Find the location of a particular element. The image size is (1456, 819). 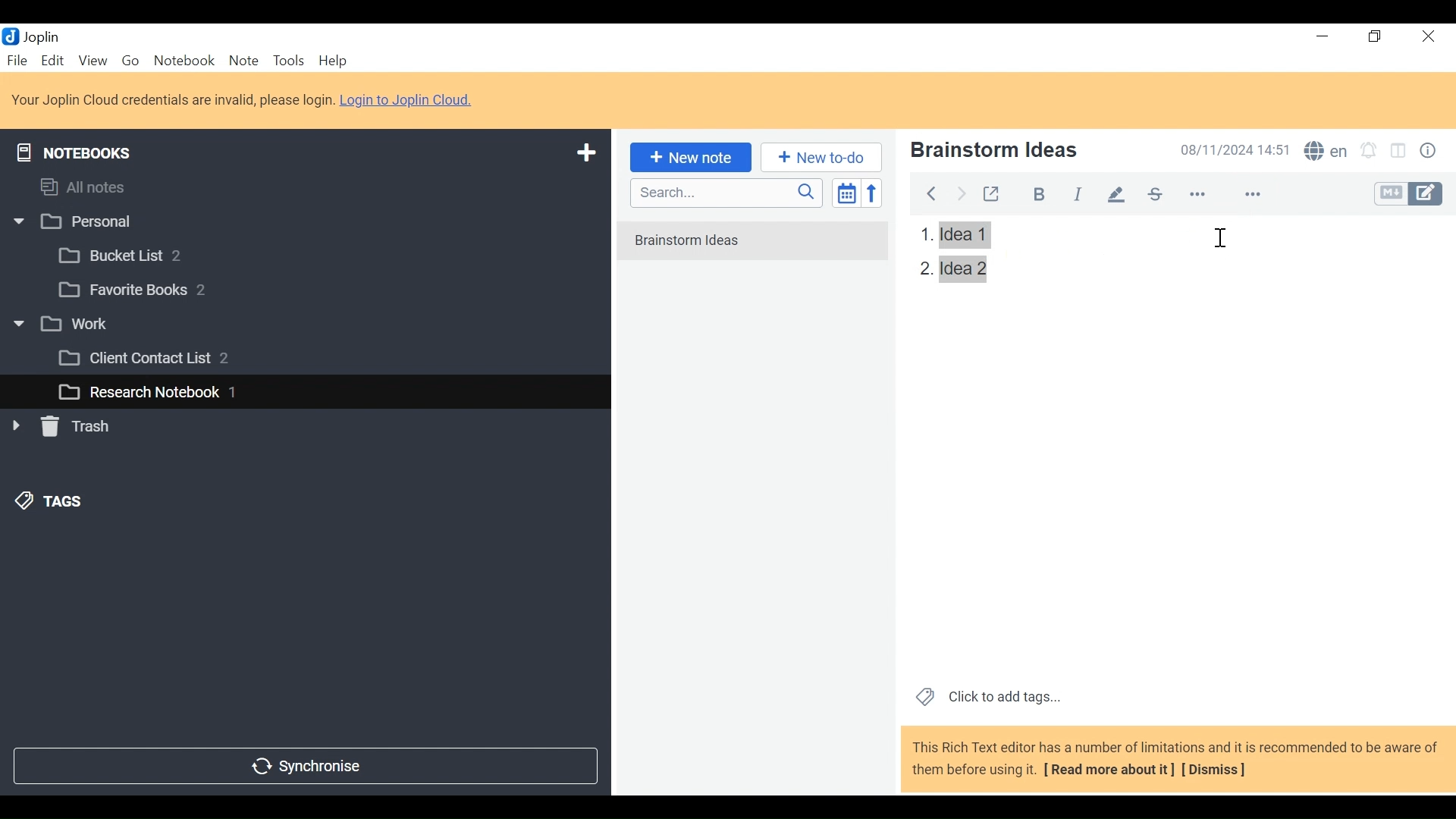

Synchronize is located at coordinates (304, 764).